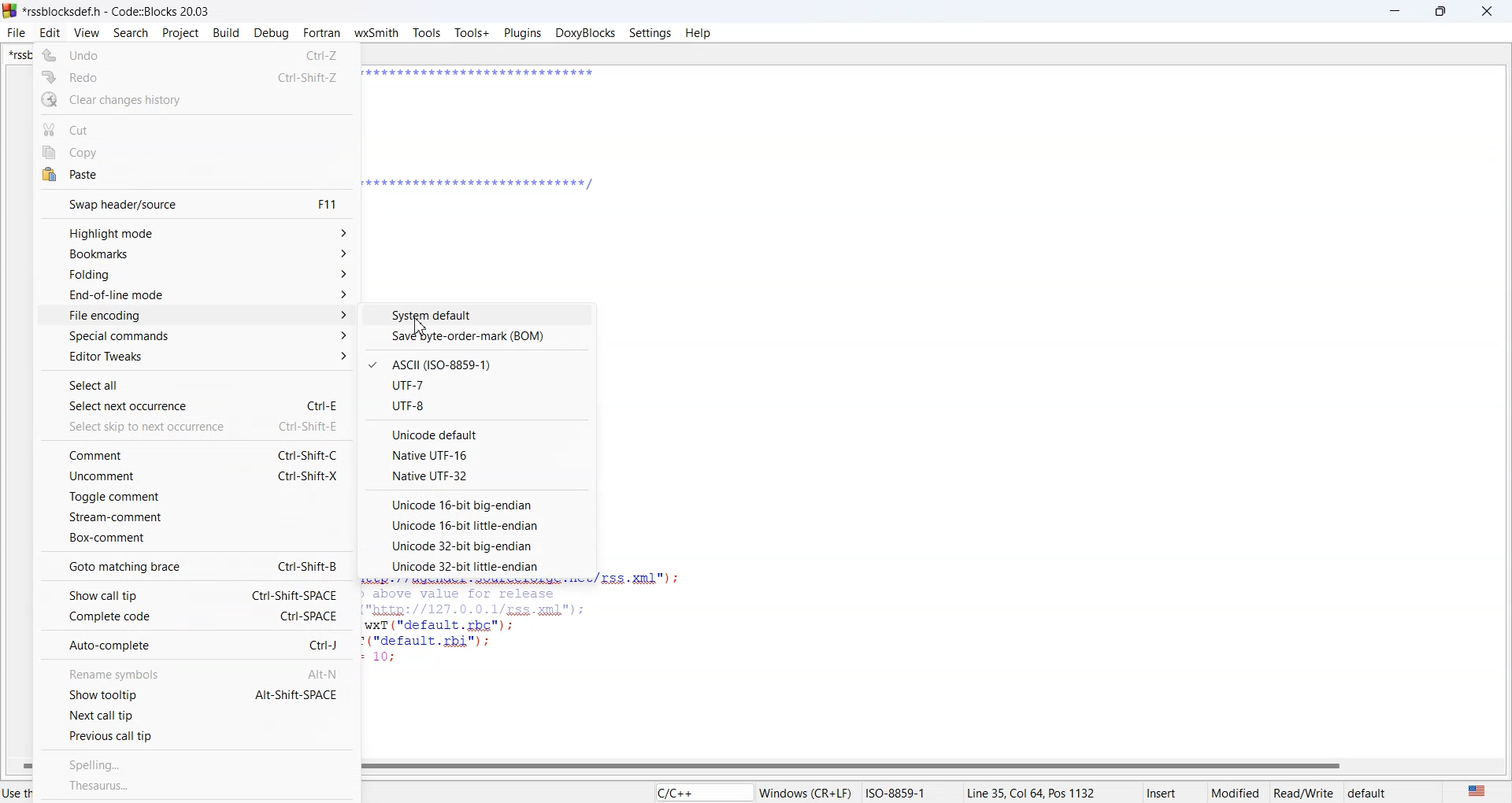  I want to click on Edit, so click(50, 33).